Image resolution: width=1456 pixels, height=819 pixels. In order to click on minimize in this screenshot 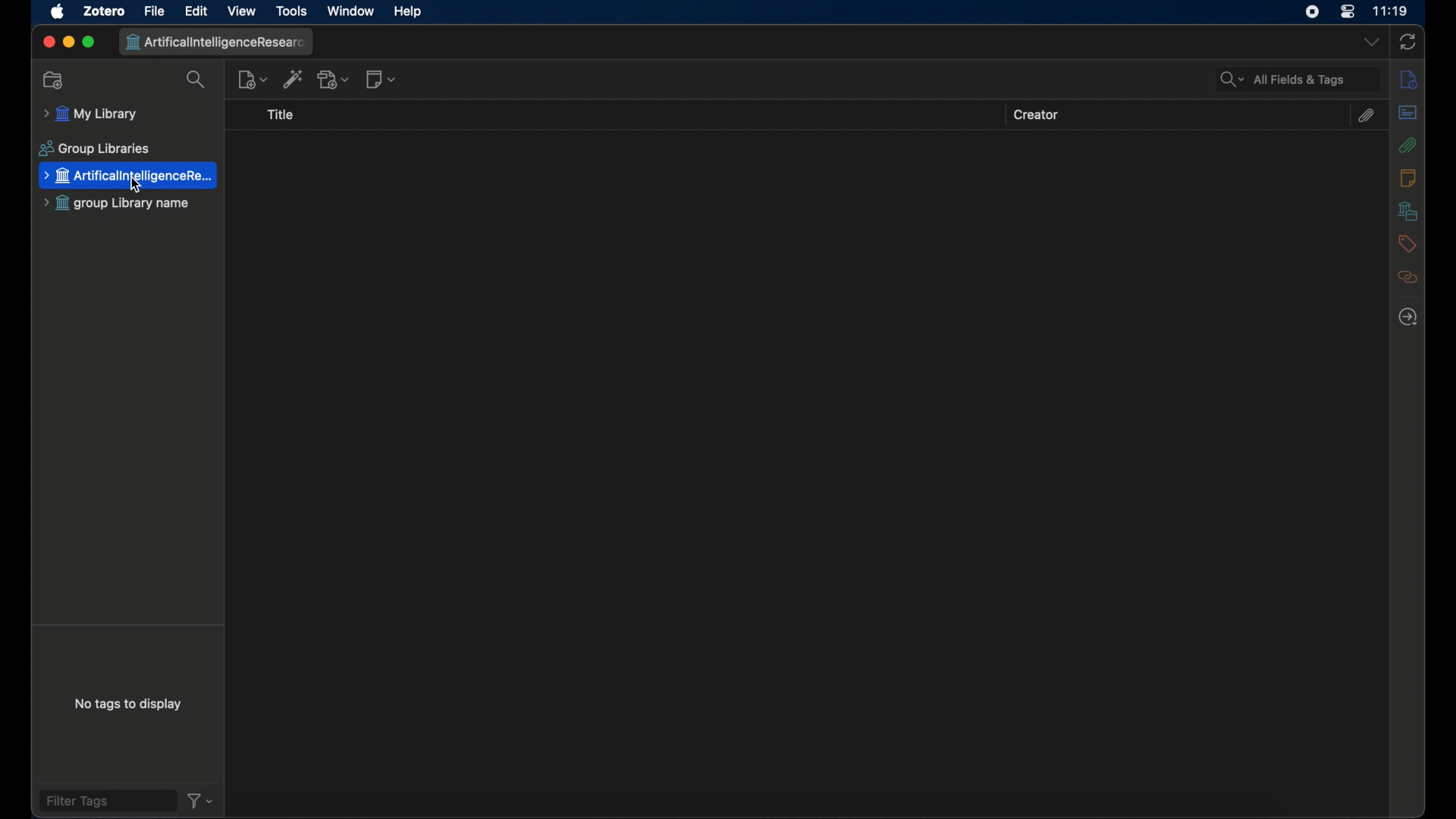, I will do `click(67, 42)`.